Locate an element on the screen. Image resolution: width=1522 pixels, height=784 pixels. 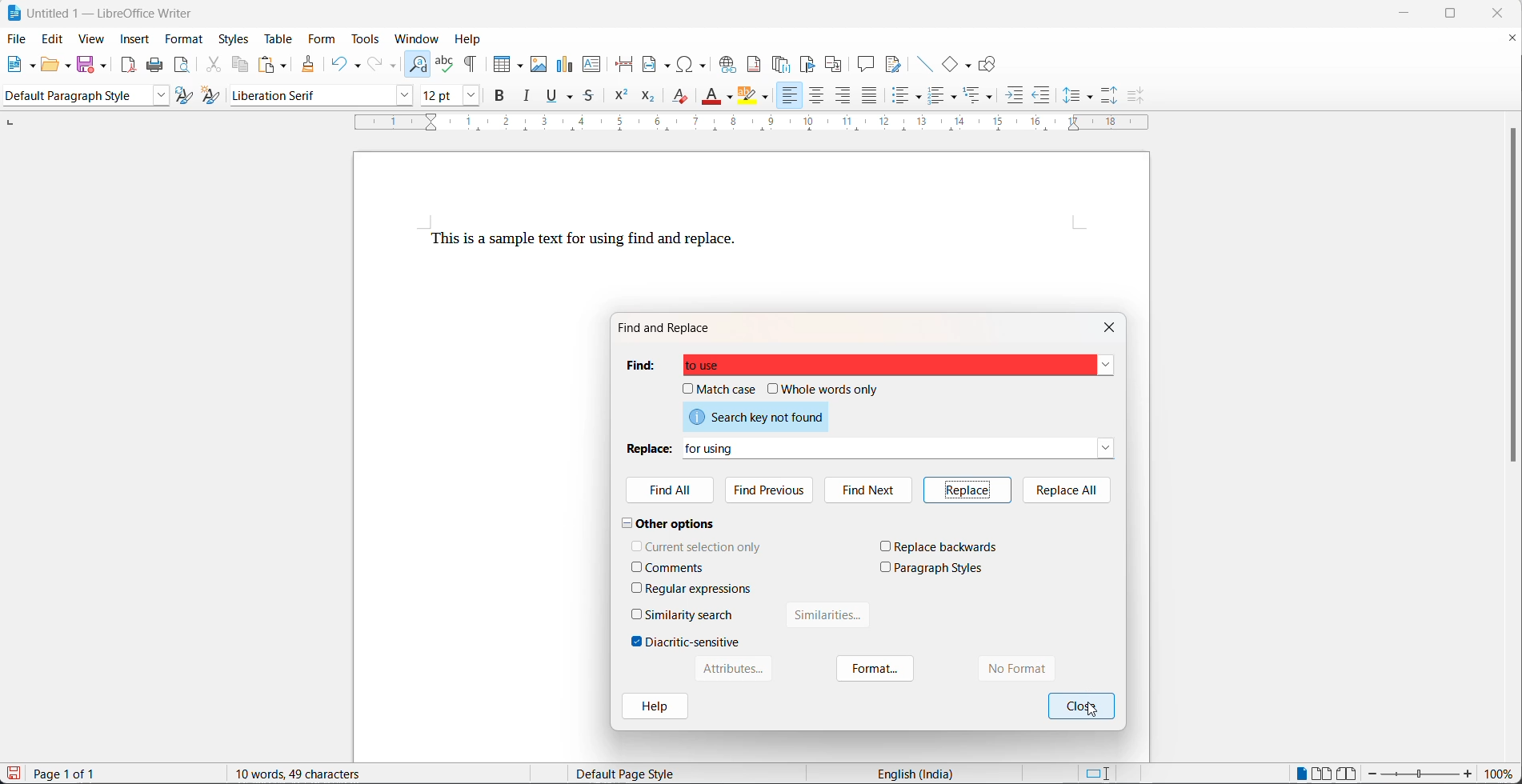
find previous is located at coordinates (773, 488).